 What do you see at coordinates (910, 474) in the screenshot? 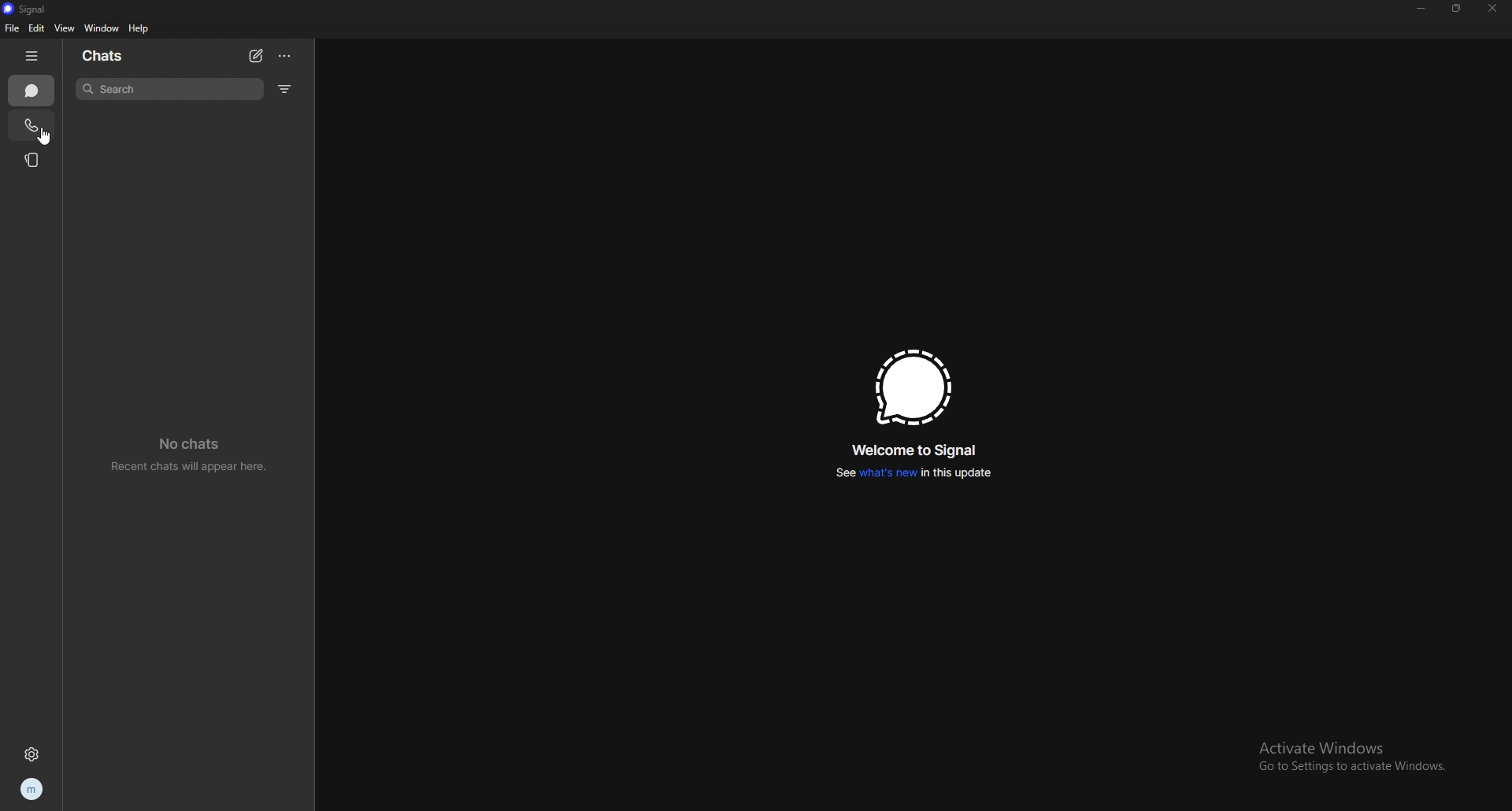
I see `see whats new in this updater` at bounding box center [910, 474].